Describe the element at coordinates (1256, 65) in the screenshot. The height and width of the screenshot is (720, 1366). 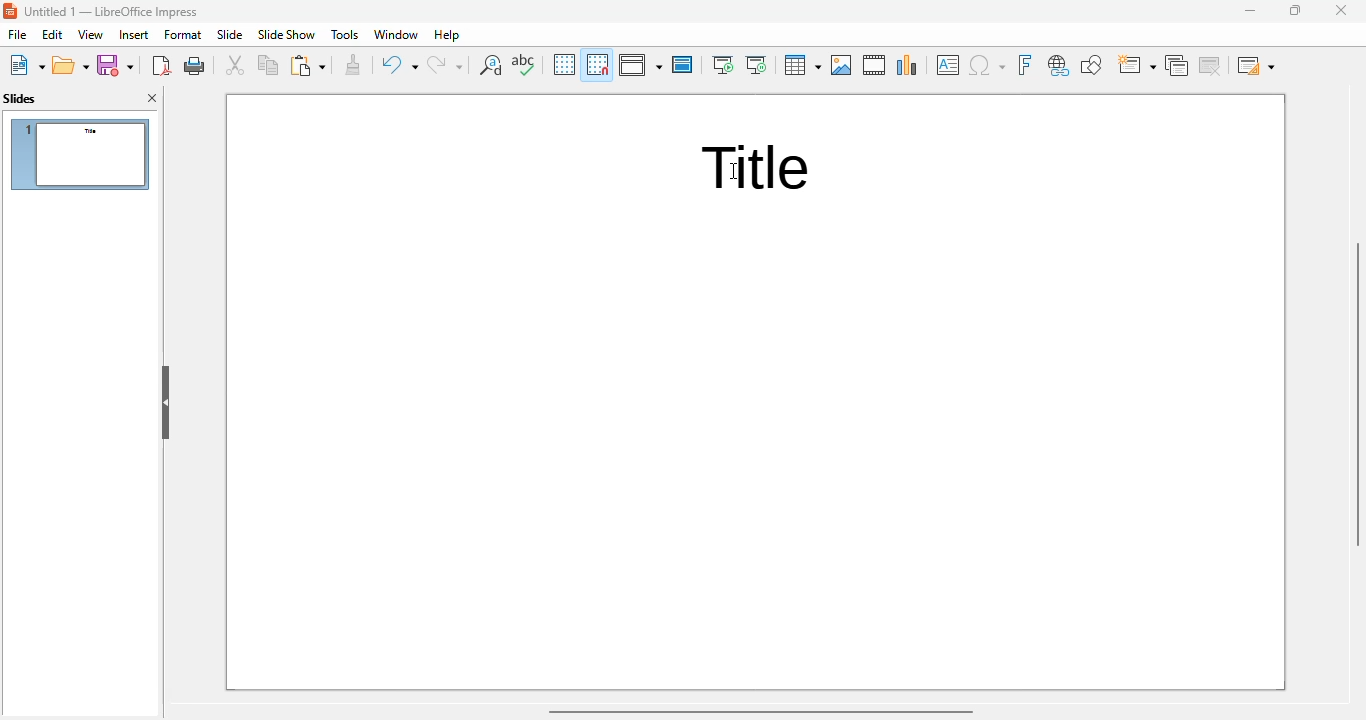
I see `slide layout` at that location.